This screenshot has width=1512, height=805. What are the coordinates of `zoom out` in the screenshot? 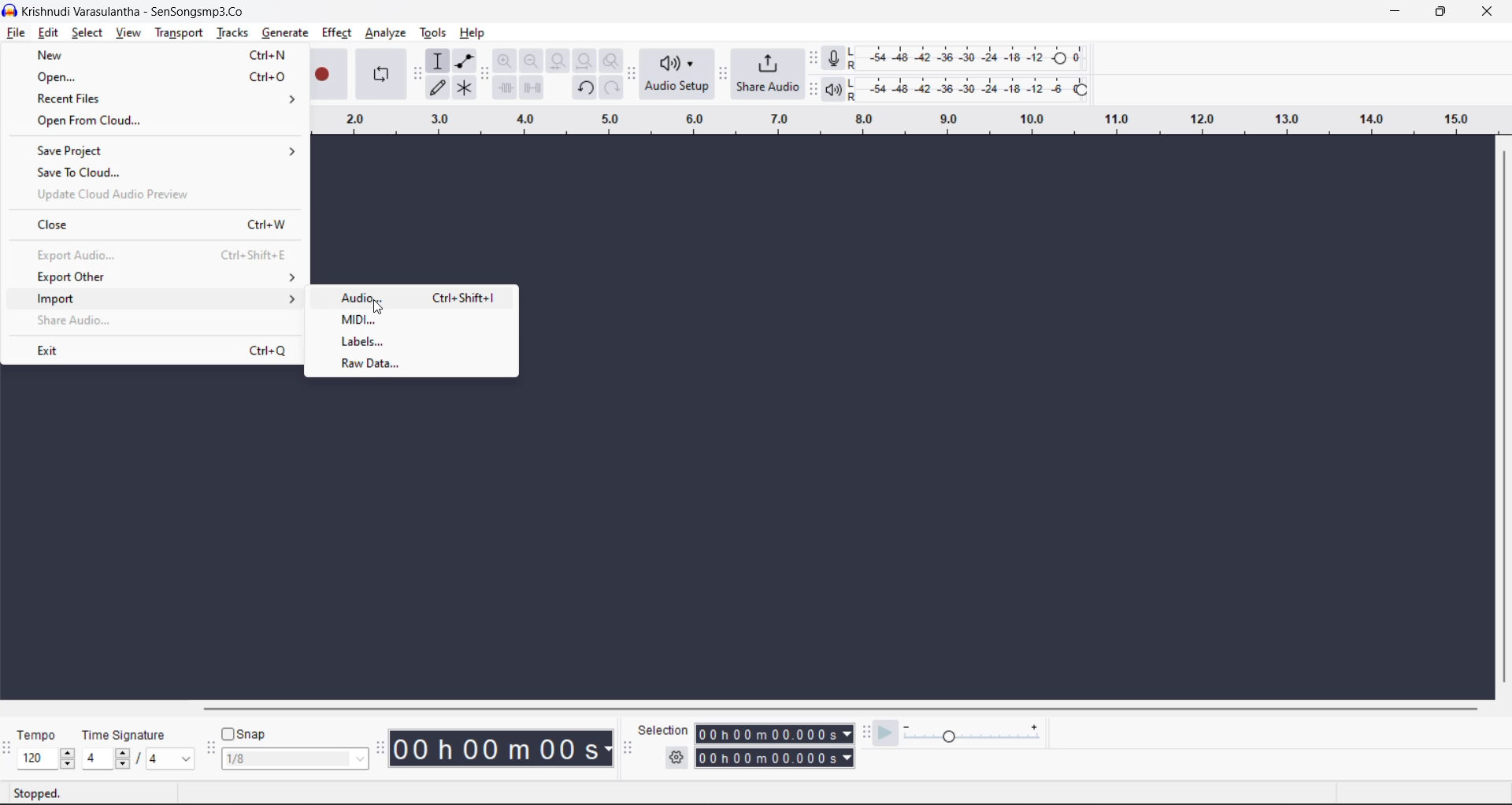 It's located at (531, 60).